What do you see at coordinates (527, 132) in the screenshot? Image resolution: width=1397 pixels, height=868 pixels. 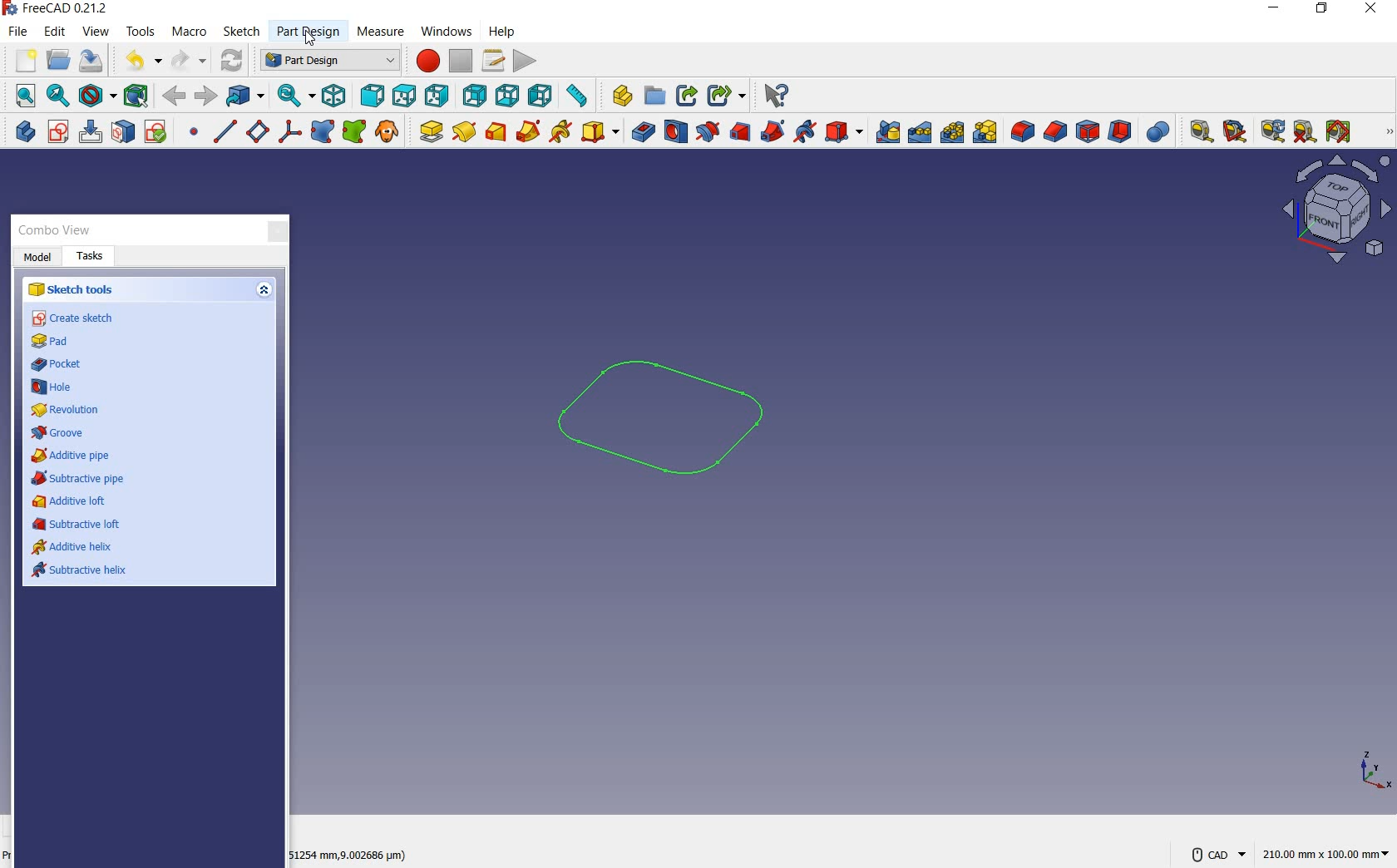 I see `additive pipe` at bounding box center [527, 132].